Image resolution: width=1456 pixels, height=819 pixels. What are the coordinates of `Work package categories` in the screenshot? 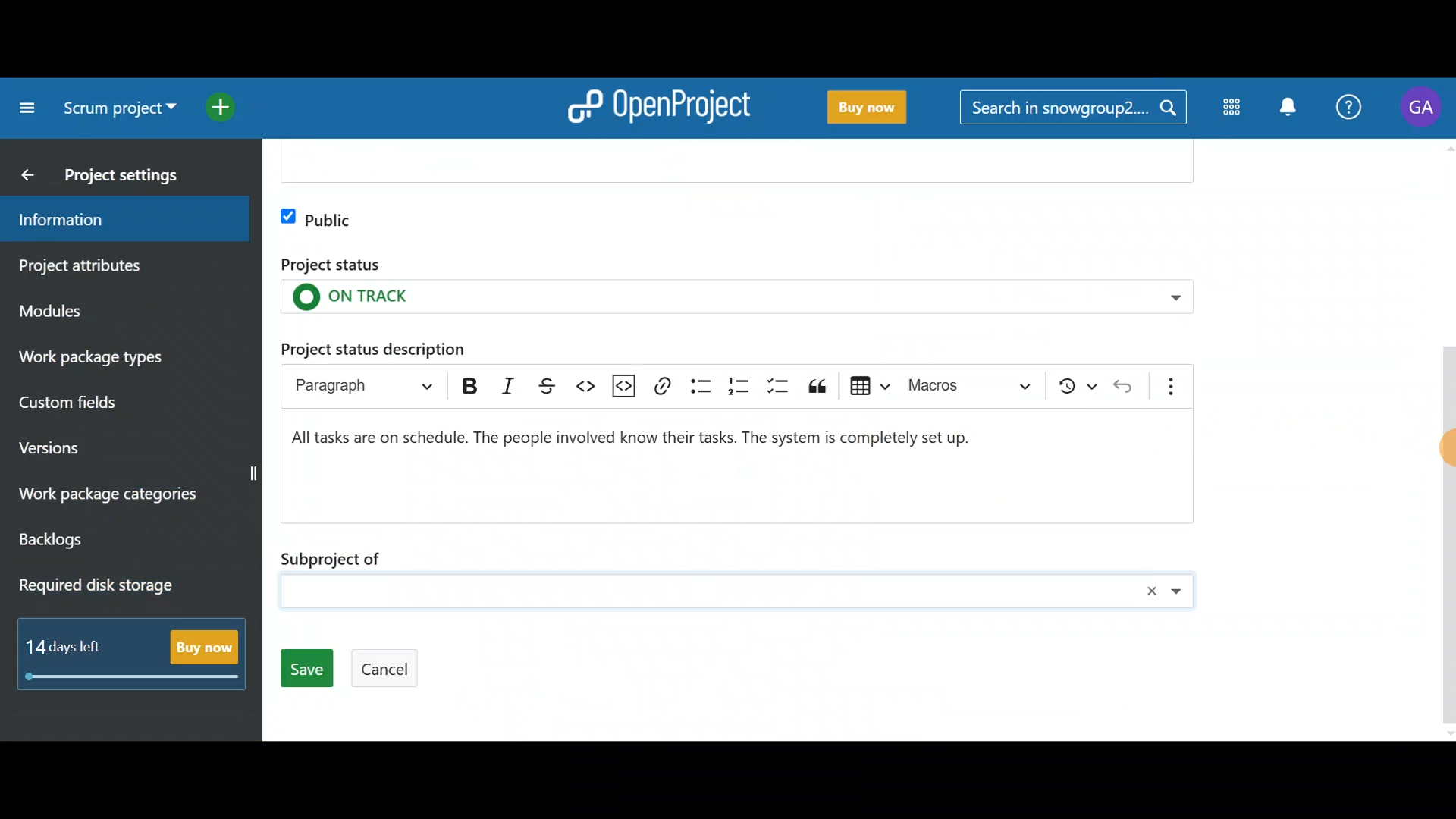 It's located at (130, 494).